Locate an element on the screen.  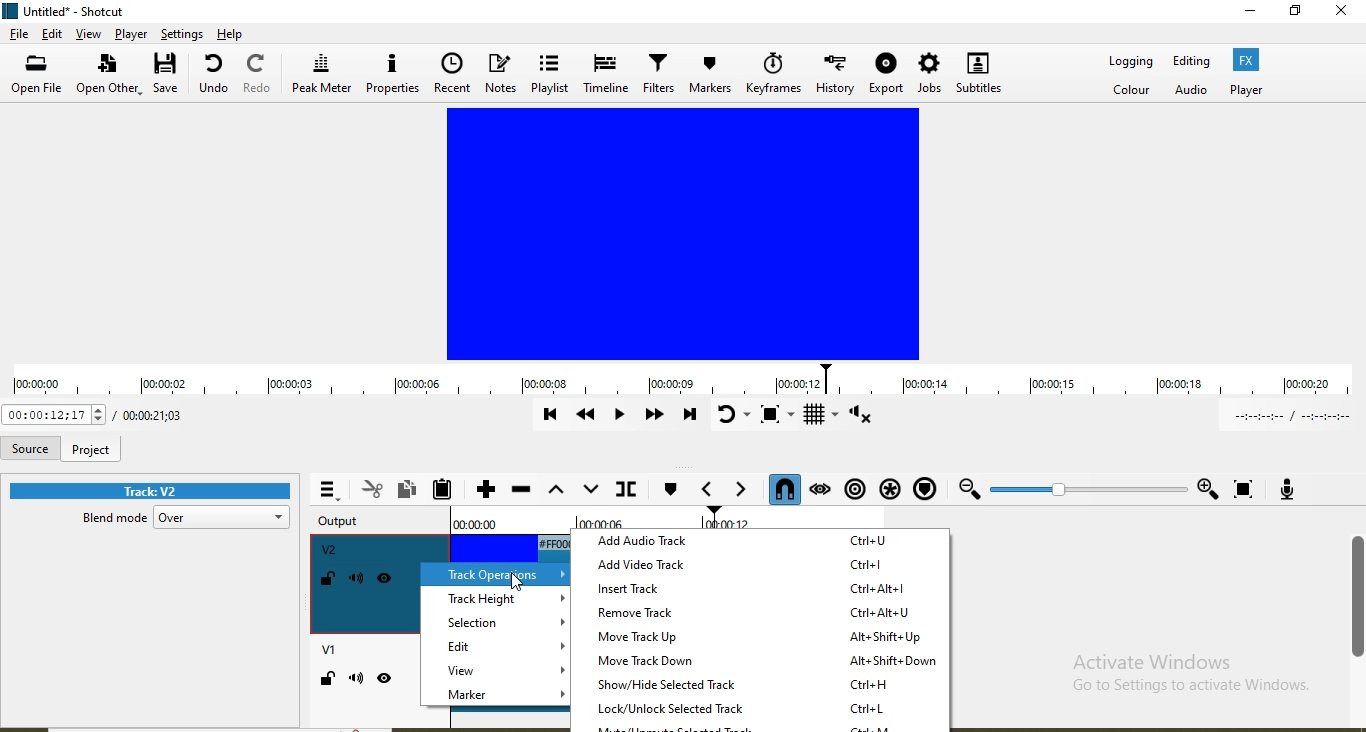
Scrub while dragging is located at coordinates (820, 490).